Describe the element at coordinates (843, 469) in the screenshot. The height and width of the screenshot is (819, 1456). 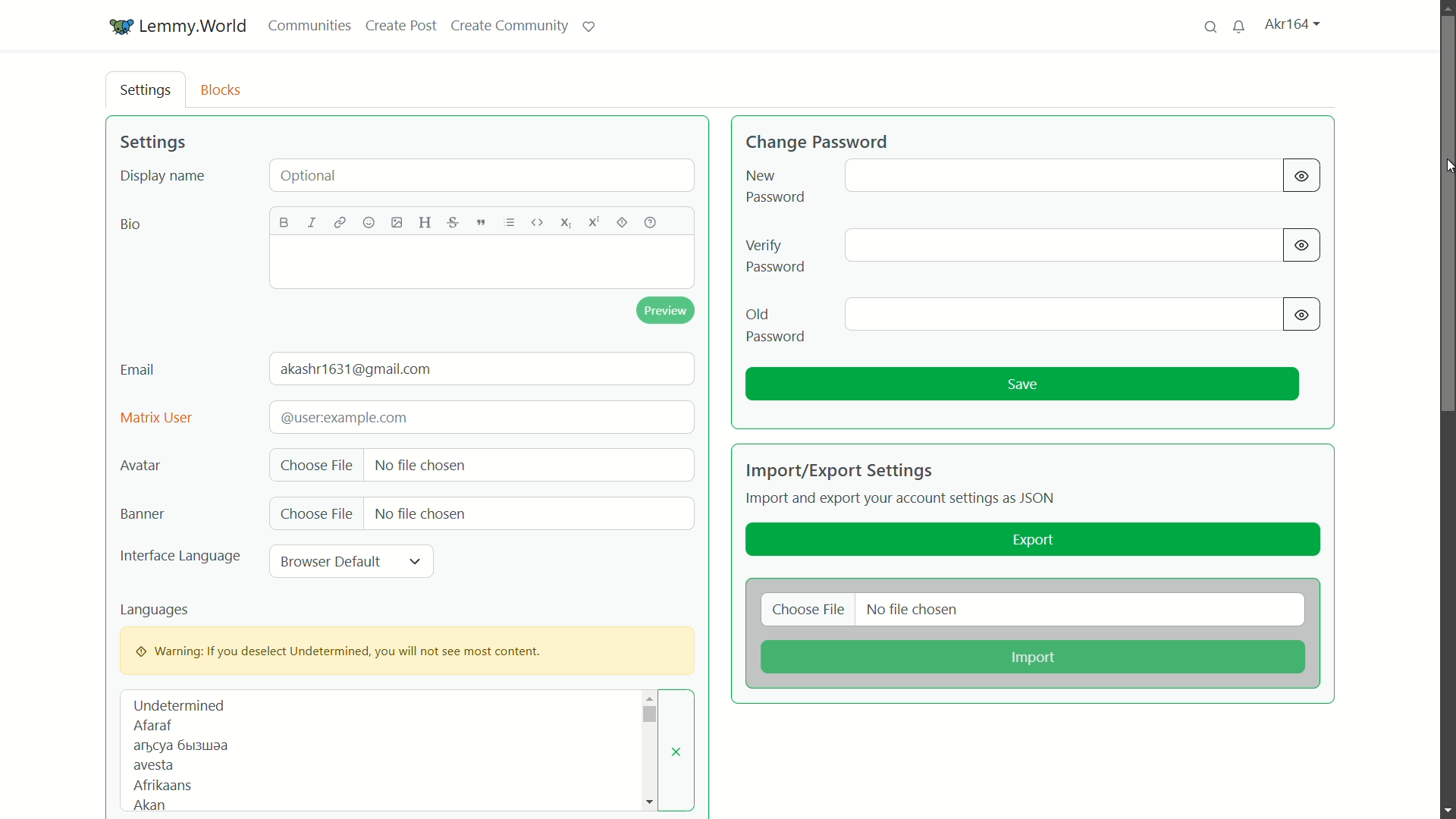
I see `import/export settings` at that location.